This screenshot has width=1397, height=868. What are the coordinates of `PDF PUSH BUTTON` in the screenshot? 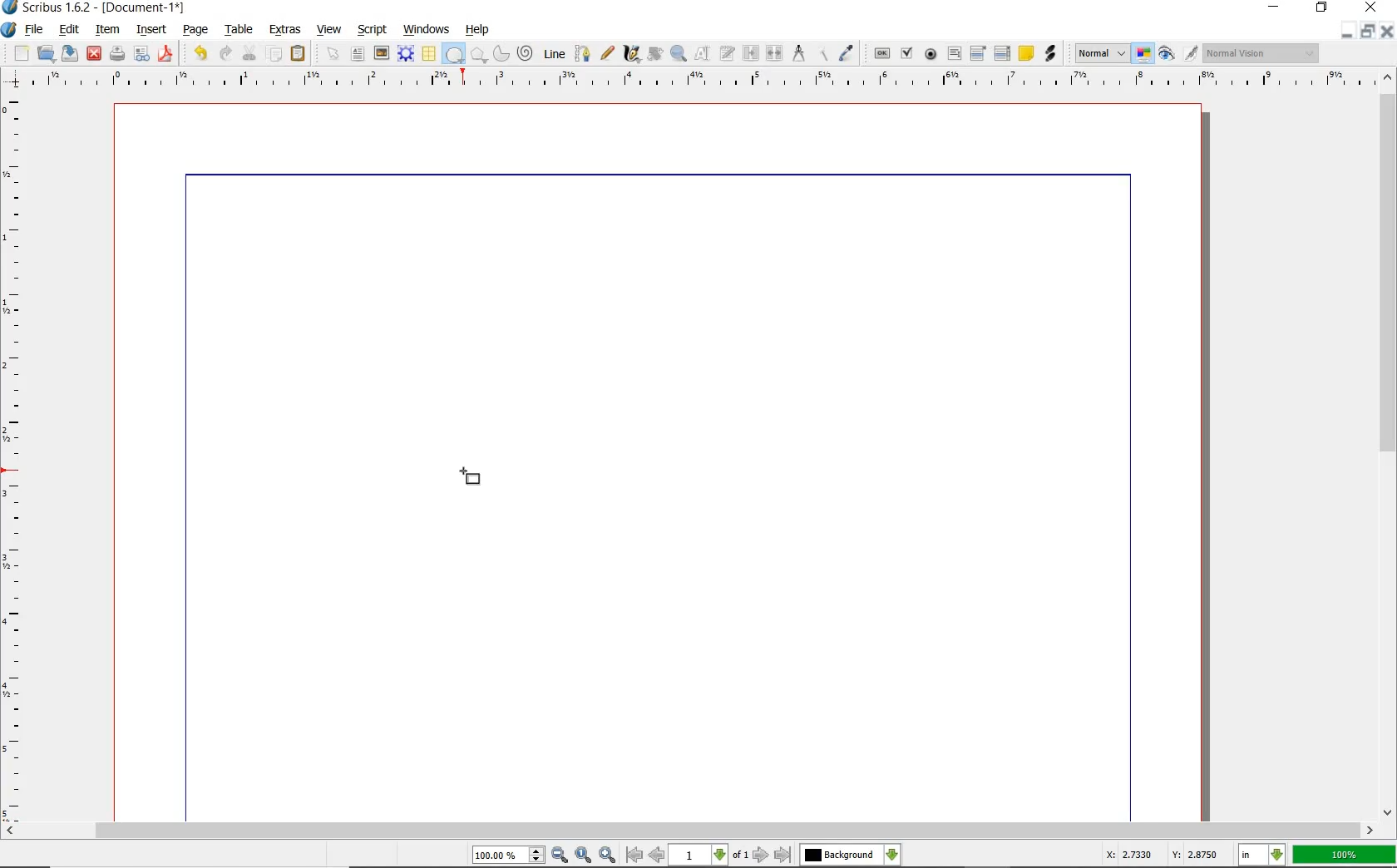 It's located at (881, 54).